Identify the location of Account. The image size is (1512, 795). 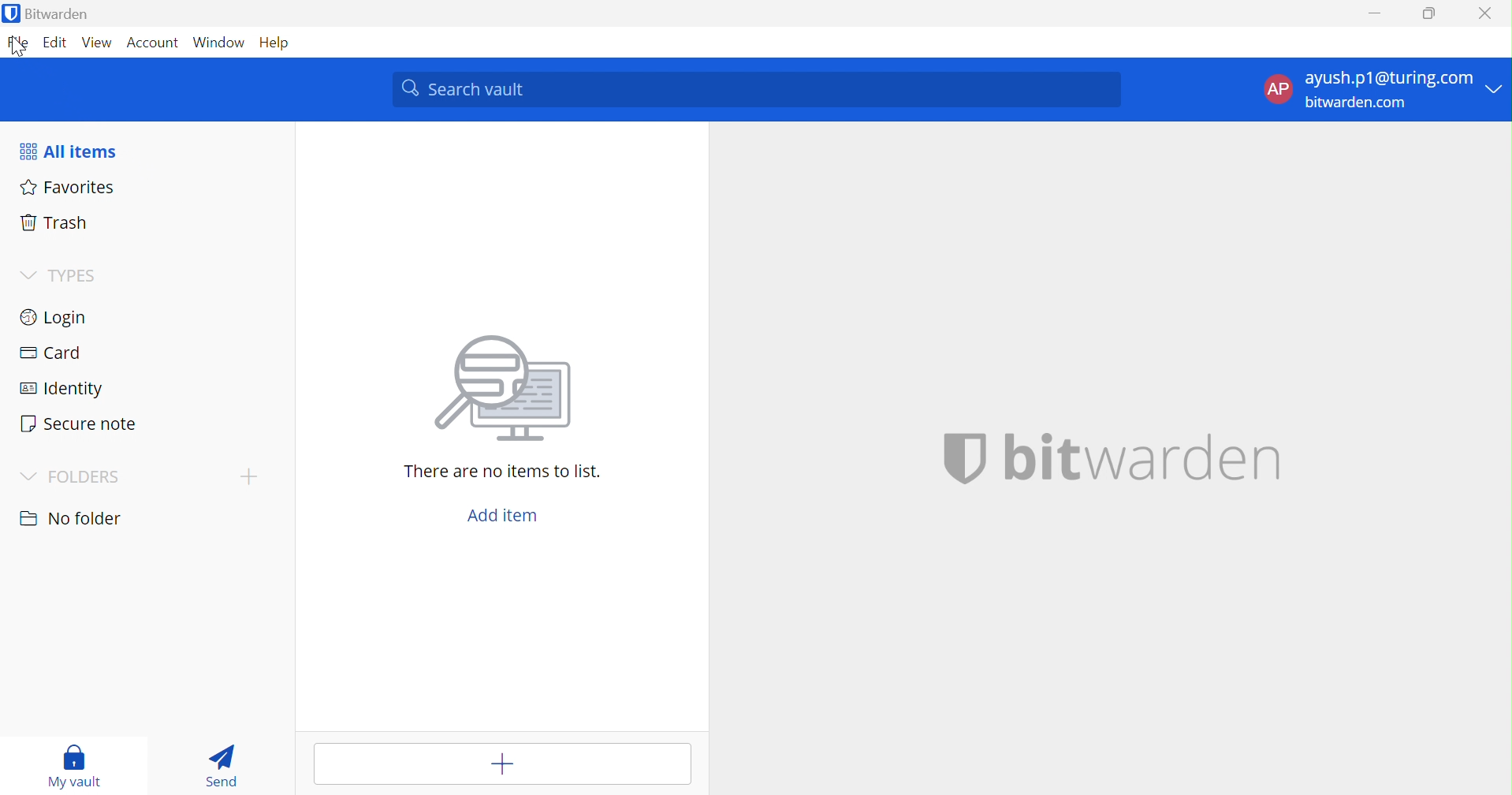
(154, 43).